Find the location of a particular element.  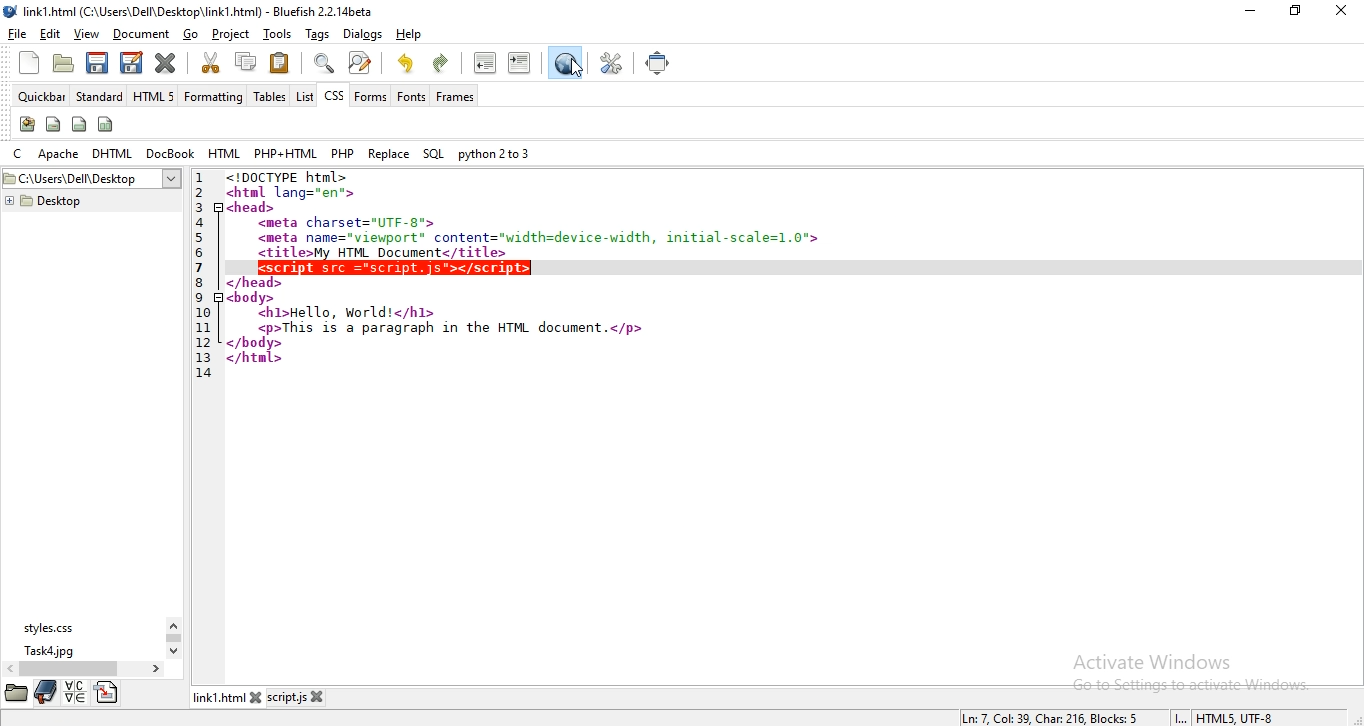

tables is located at coordinates (270, 95).